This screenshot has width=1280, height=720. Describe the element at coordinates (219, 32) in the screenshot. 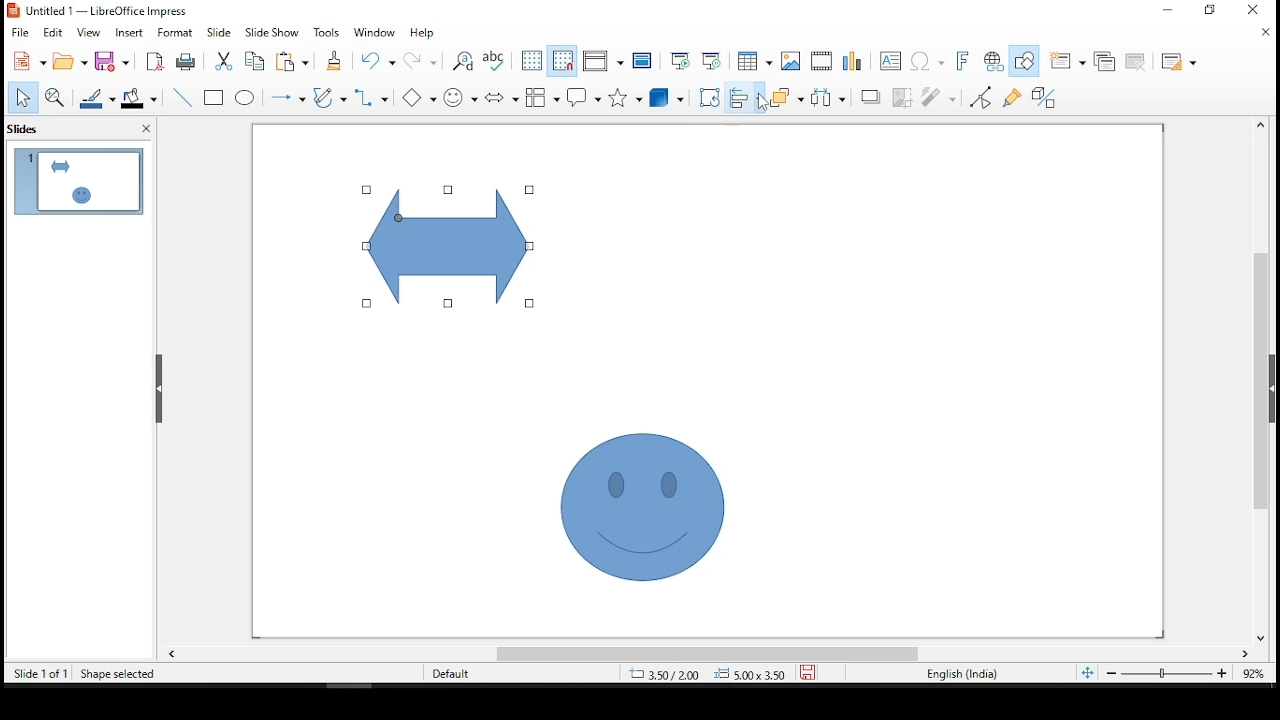

I see `slide` at that location.